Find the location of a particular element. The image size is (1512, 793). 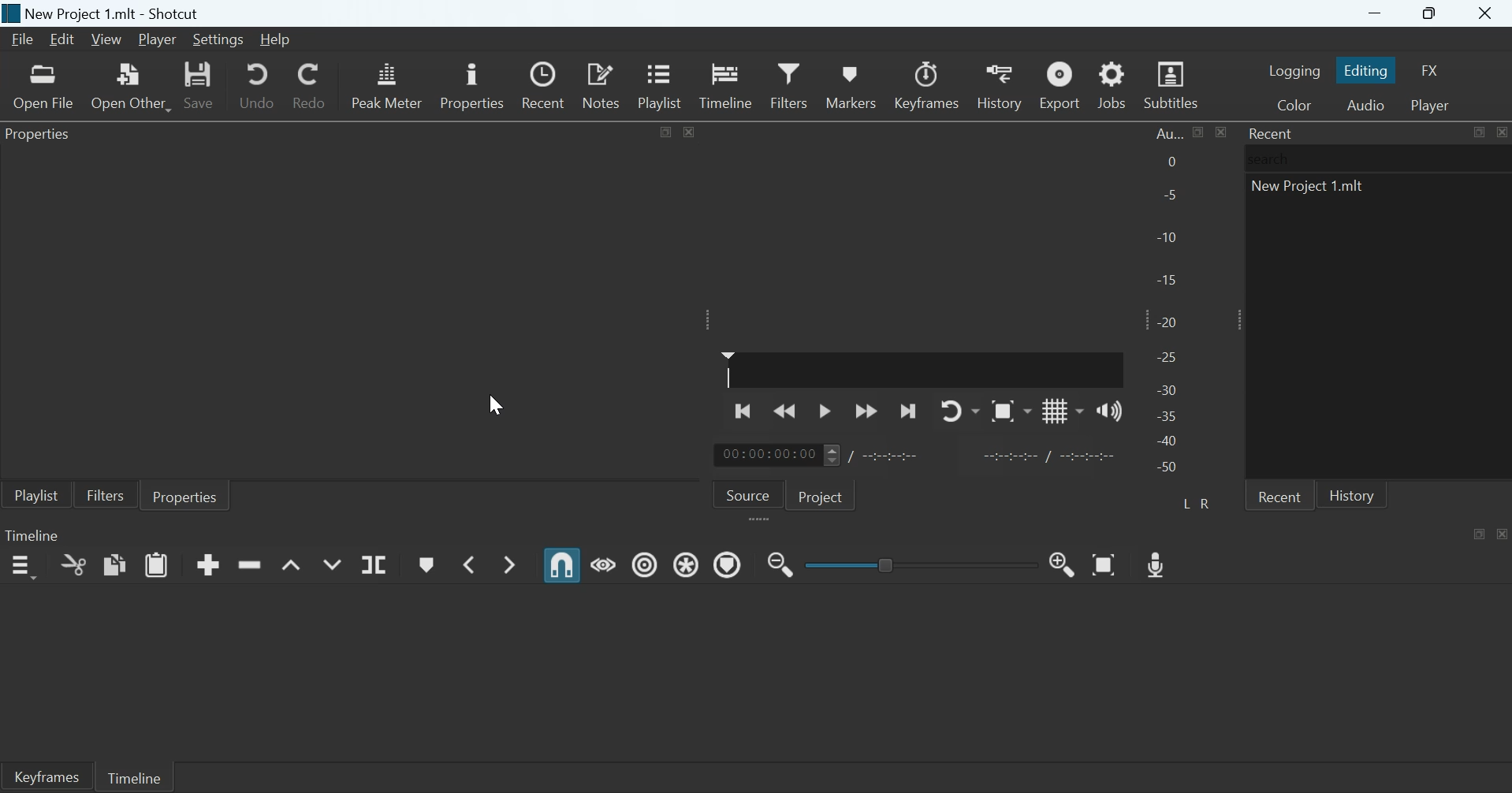

New Project 1.mlt - Shotcut is located at coordinates (114, 13).